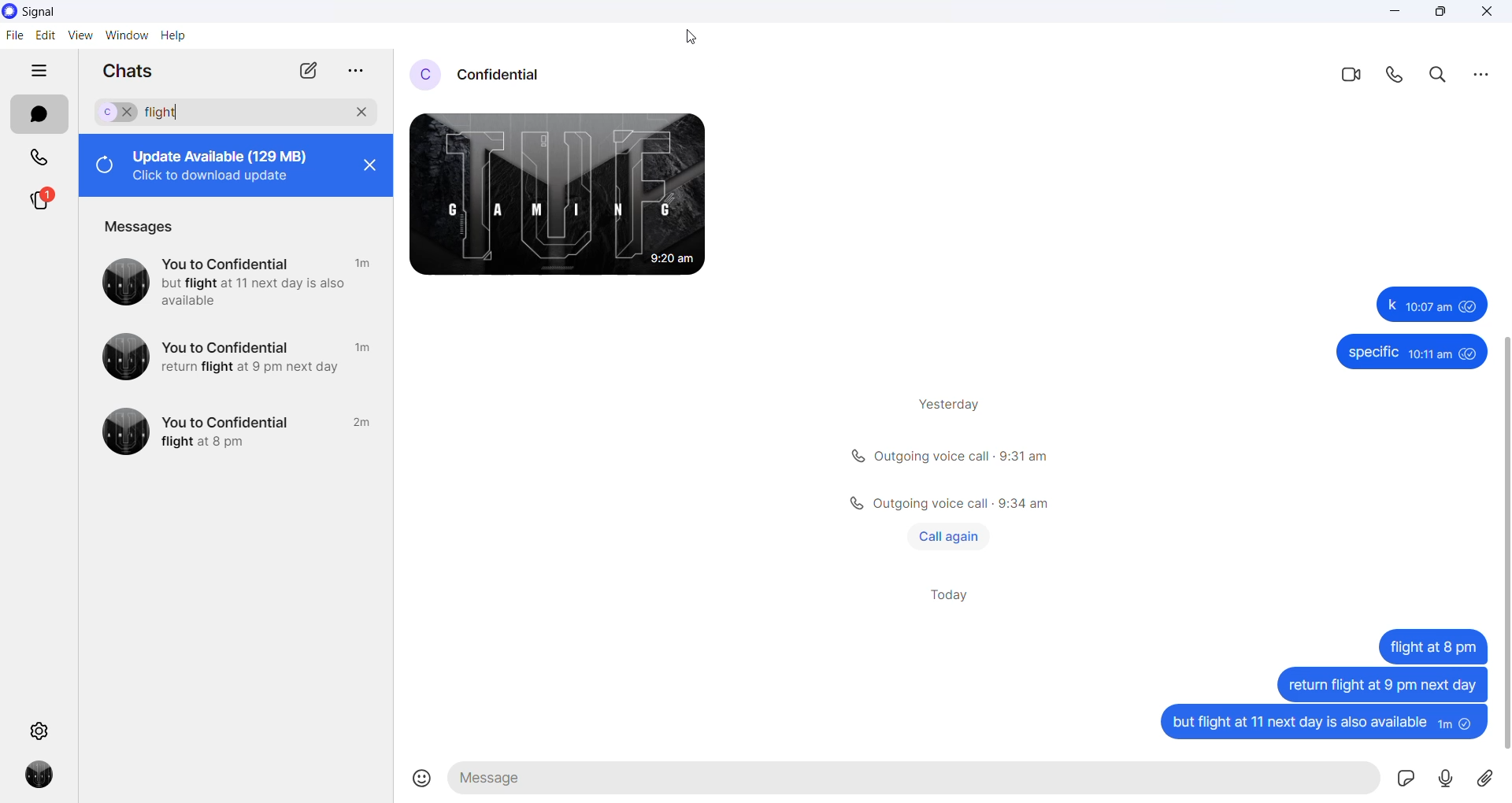 Image resolution: width=1512 pixels, height=803 pixels. What do you see at coordinates (239, 279) in the screenshot?
I see `messages with keyword` at bounding box center [239, 279].